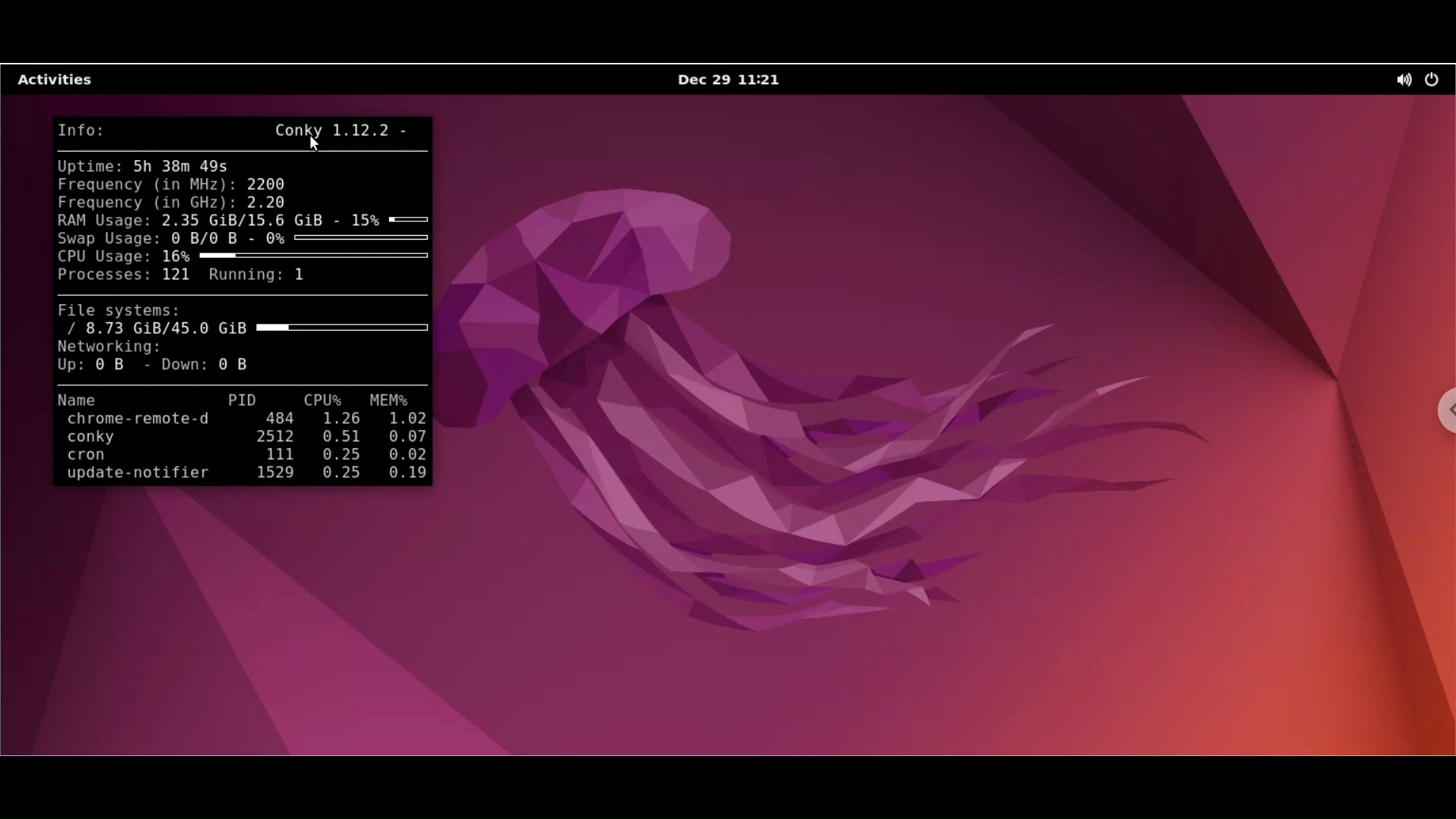  I want to click on 1.02, so click(406, 420).